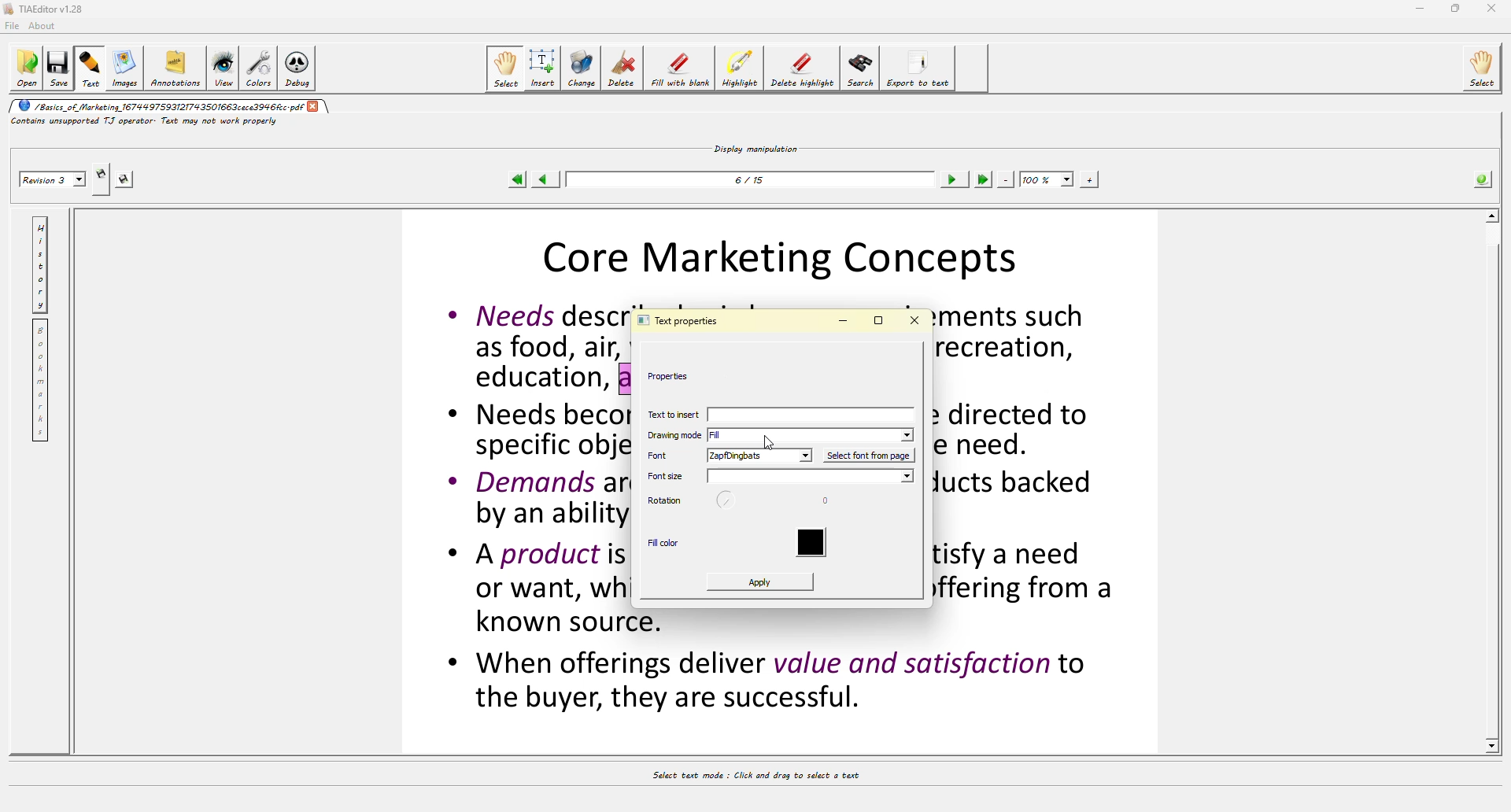 Image resolution: width=1511 pixels, height=812 pixels. What do you see at coordinates (663, 476) in the screenshot?
I see `font size` at bounding box center [663, 476].